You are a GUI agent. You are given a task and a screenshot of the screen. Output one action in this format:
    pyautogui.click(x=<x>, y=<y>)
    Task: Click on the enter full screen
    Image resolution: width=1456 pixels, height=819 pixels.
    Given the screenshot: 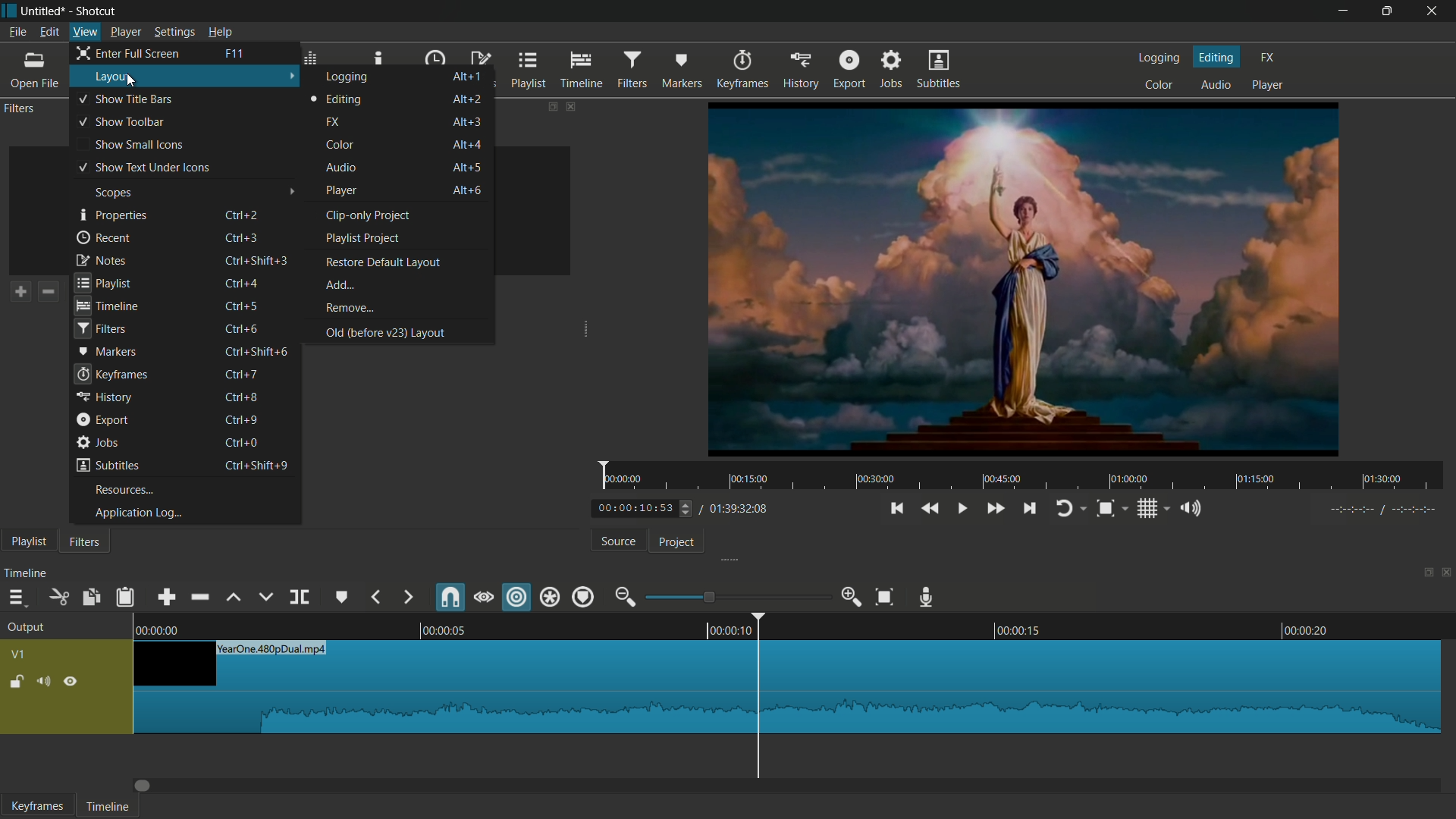 What is the action you would take?
    pyautogui.click(x=130, y=52)
    